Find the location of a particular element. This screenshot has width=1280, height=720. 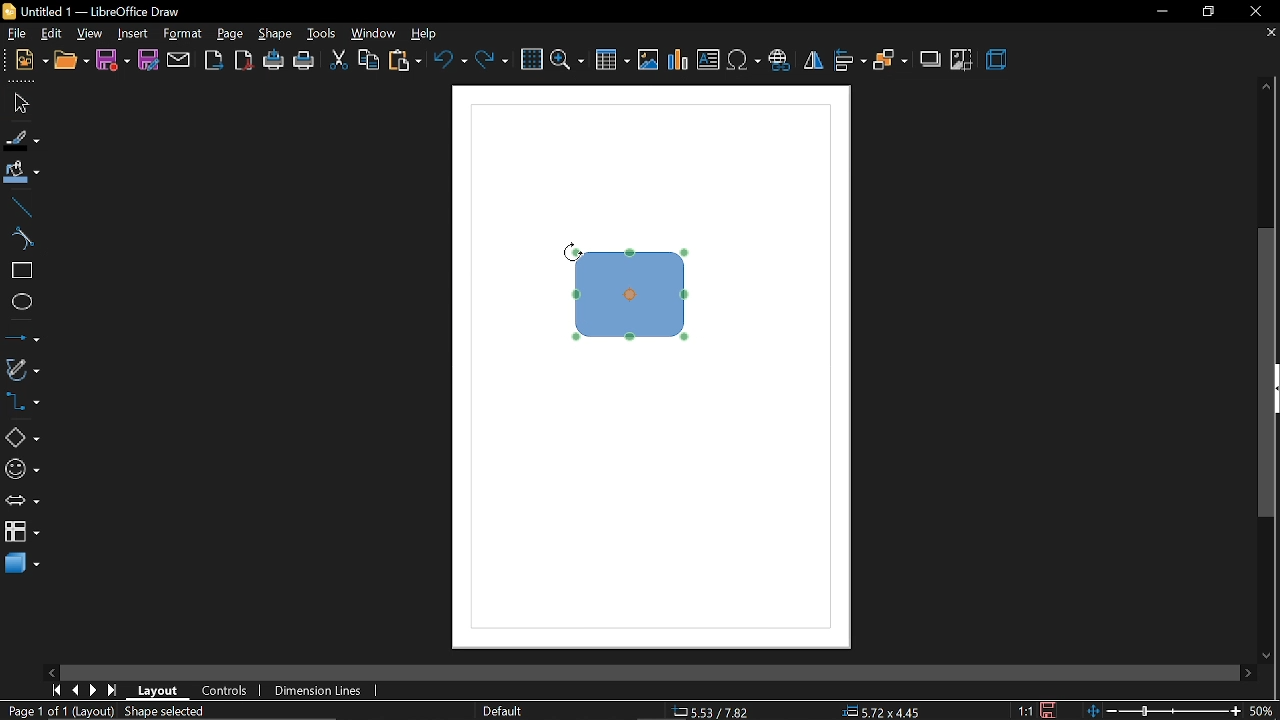

export as pdf is located at coordinates (245, 59).